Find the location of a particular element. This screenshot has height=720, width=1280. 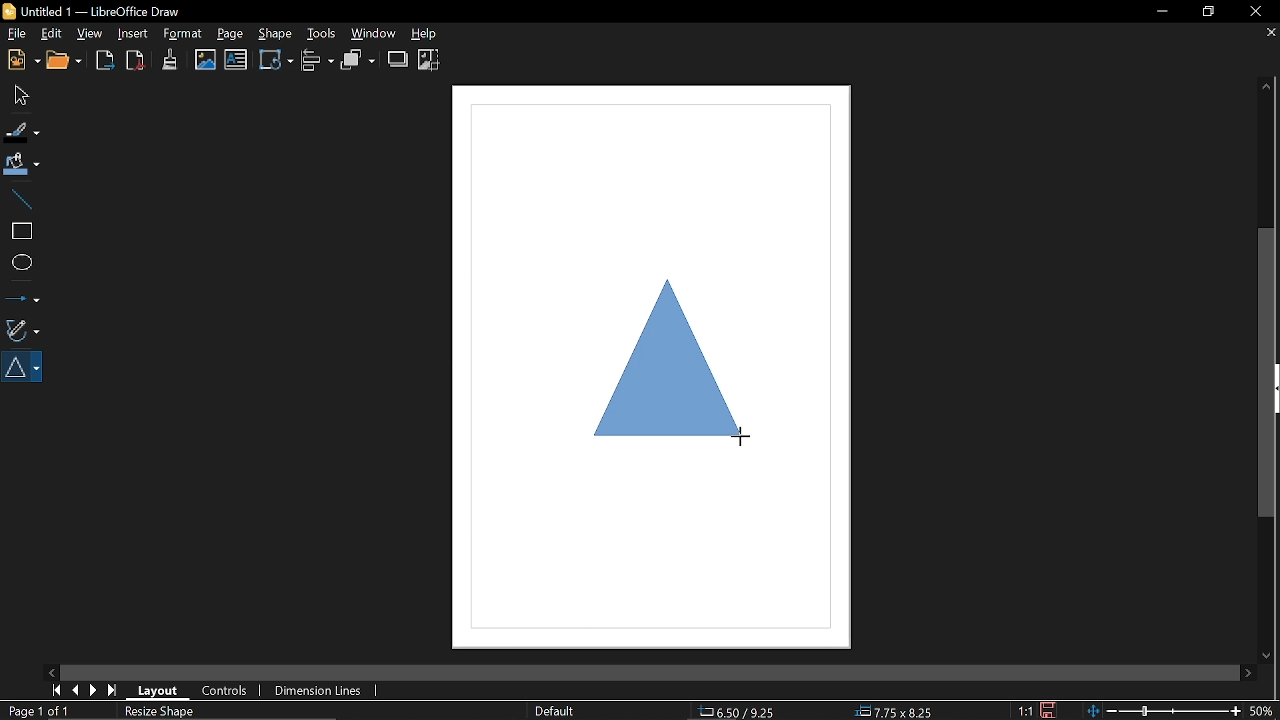

Curves and polygons is located at coordinates (21, 328).